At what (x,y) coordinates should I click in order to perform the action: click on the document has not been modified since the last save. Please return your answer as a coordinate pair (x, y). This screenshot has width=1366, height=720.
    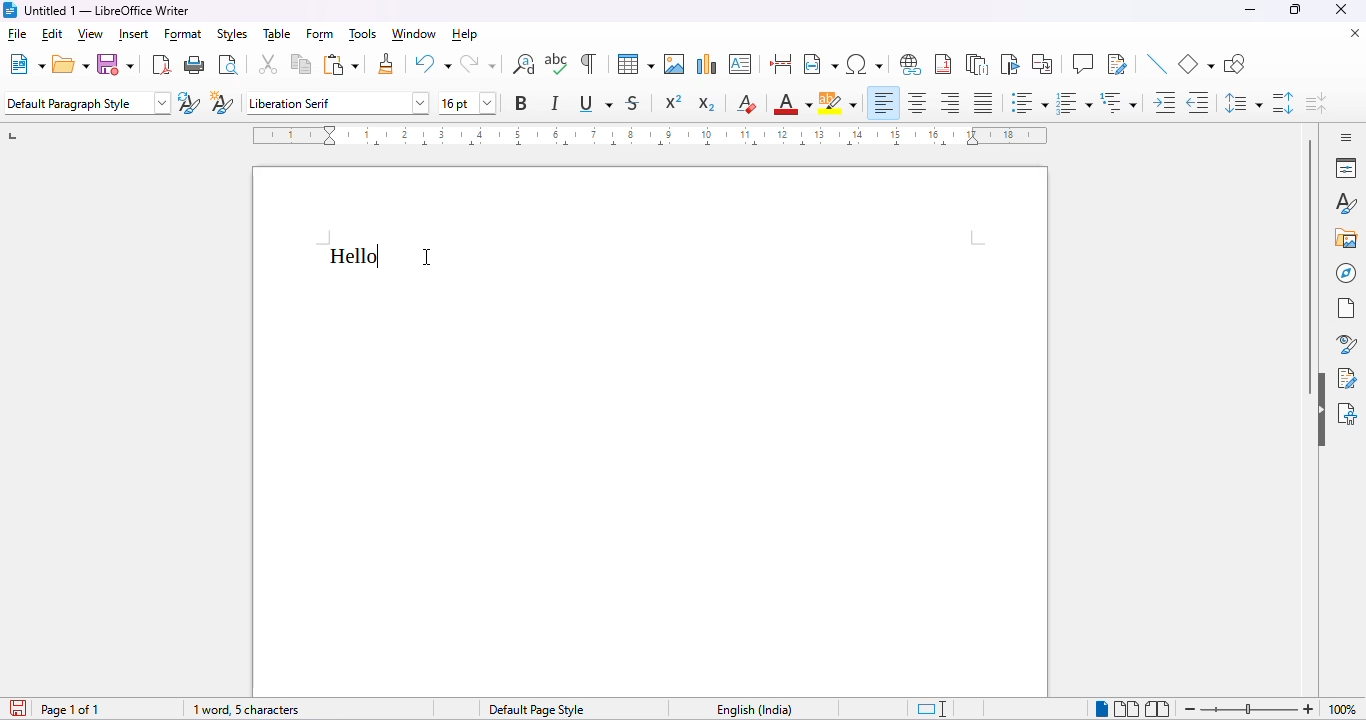
    Looking at the image, I should click on (16, 708).